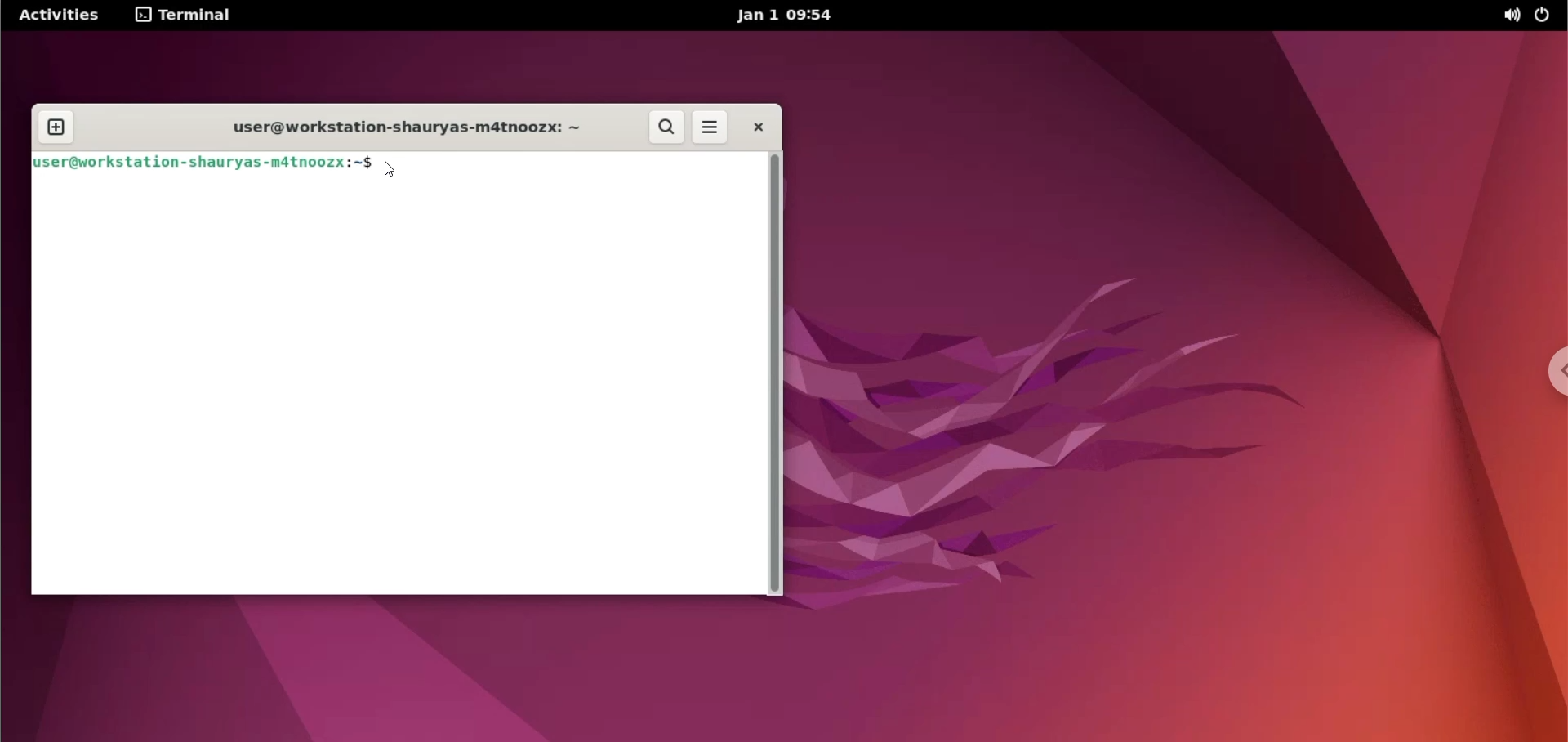  I want to click on new tab, so click(61, 126).